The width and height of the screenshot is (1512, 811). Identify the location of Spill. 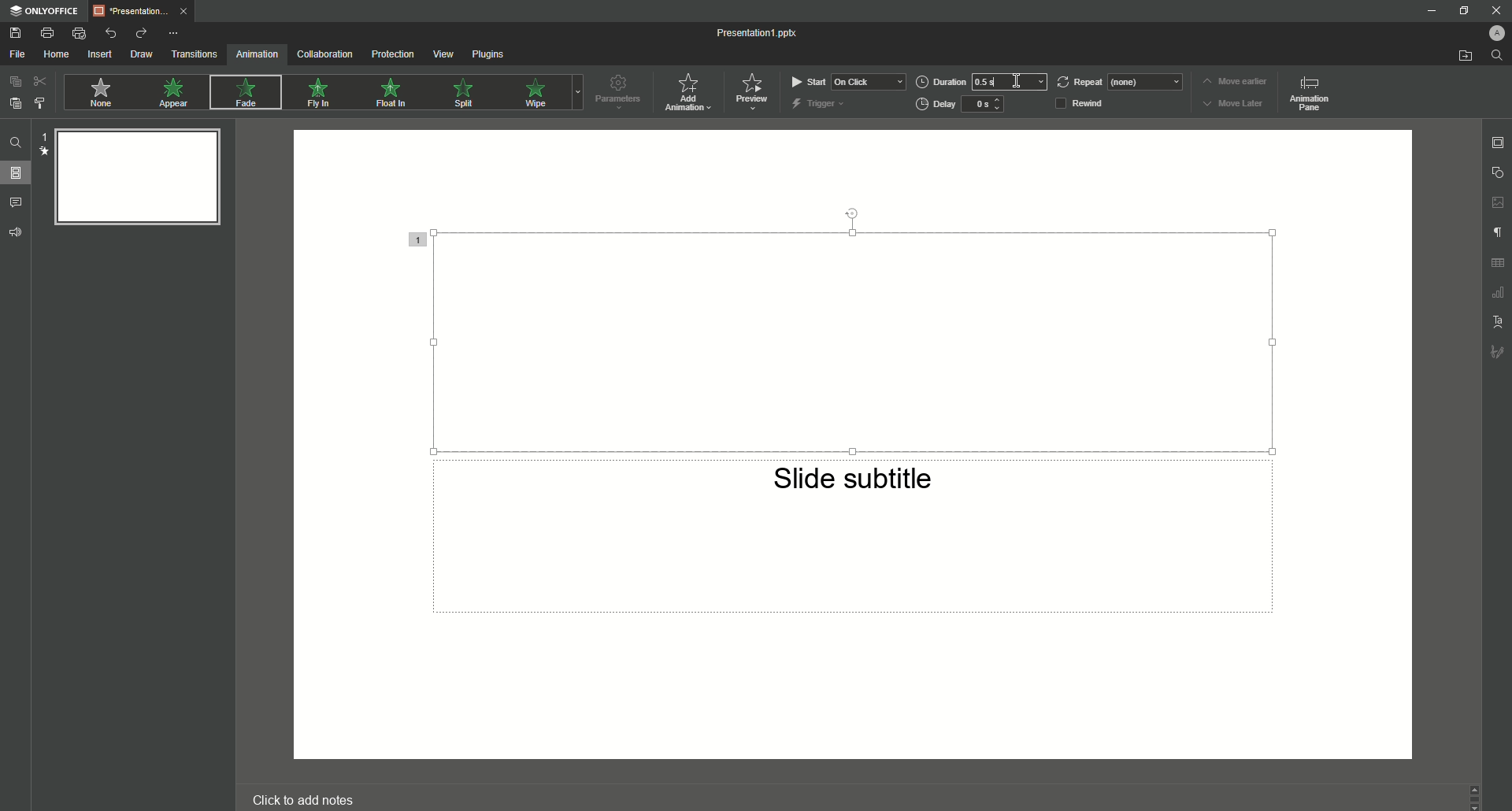
(465, 97).